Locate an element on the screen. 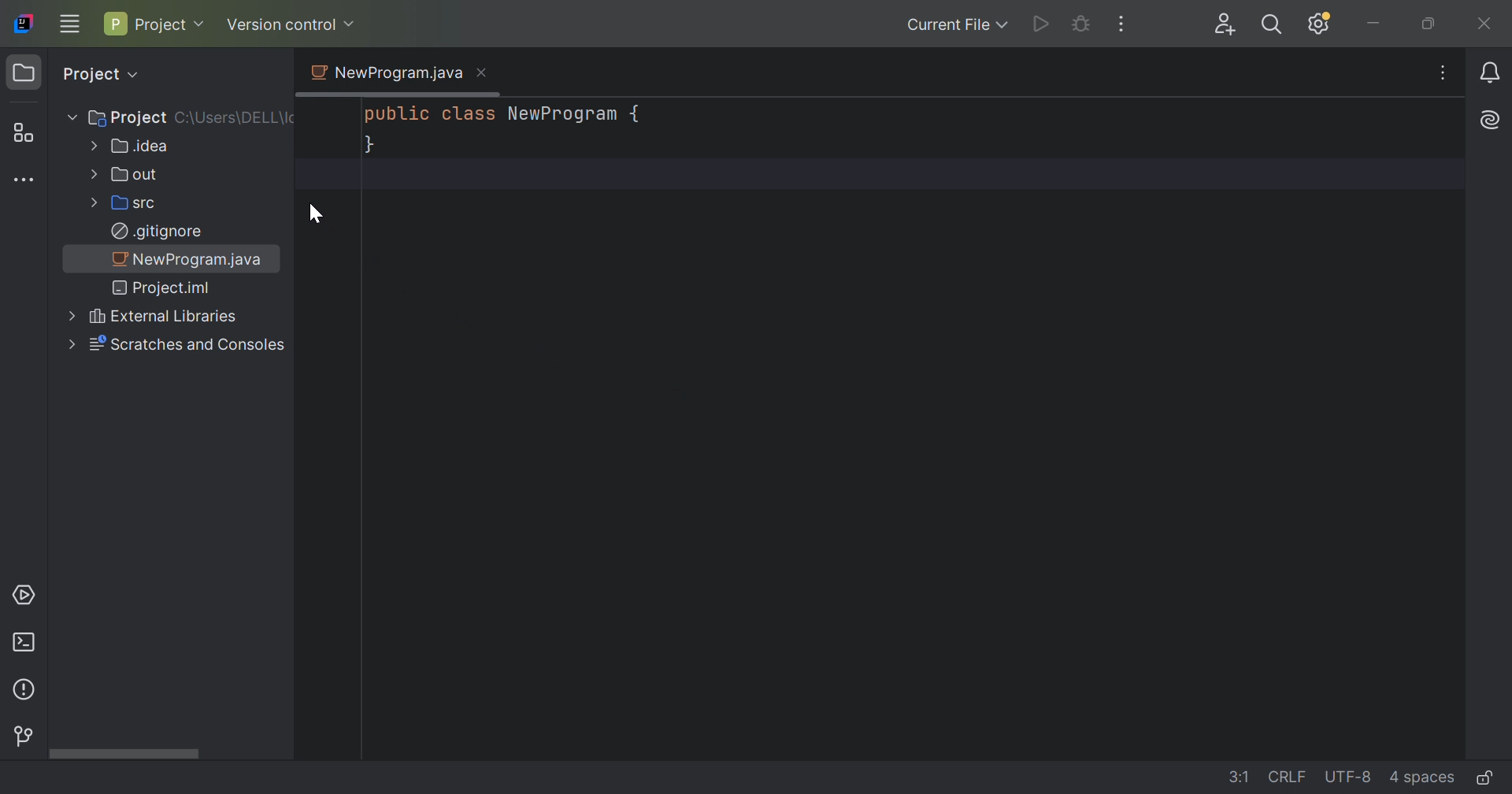 Image resolution: width=1512 pixels, height=794 pixels. Structure is located at coordinates (22, 132).